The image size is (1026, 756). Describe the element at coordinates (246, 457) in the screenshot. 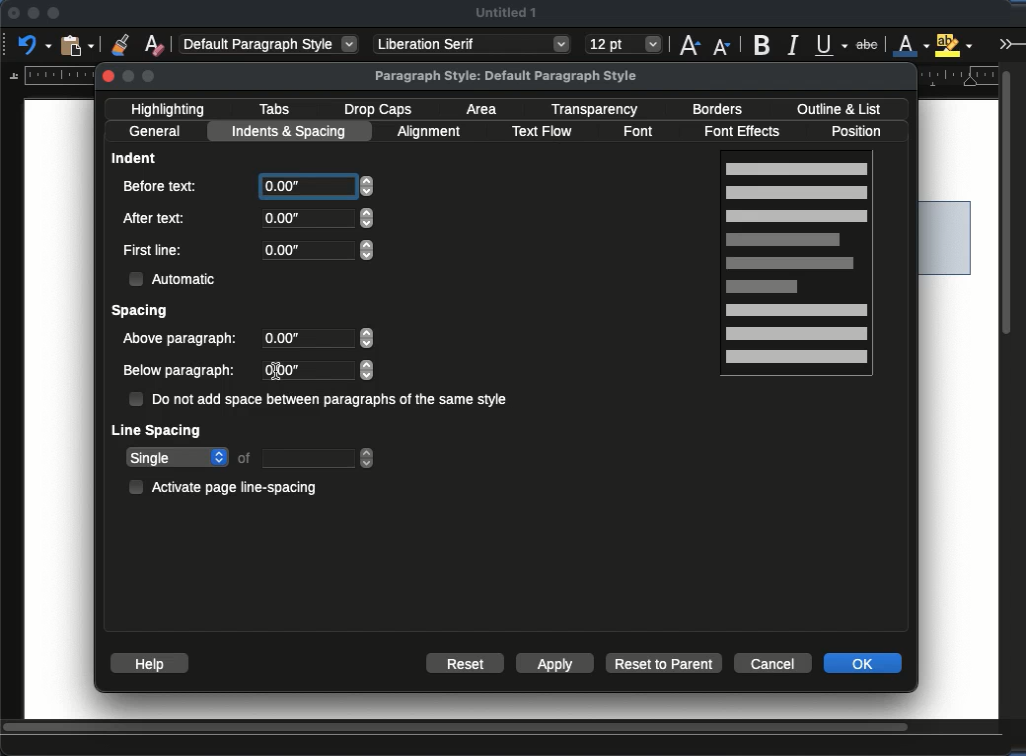

I see `of` at that location.